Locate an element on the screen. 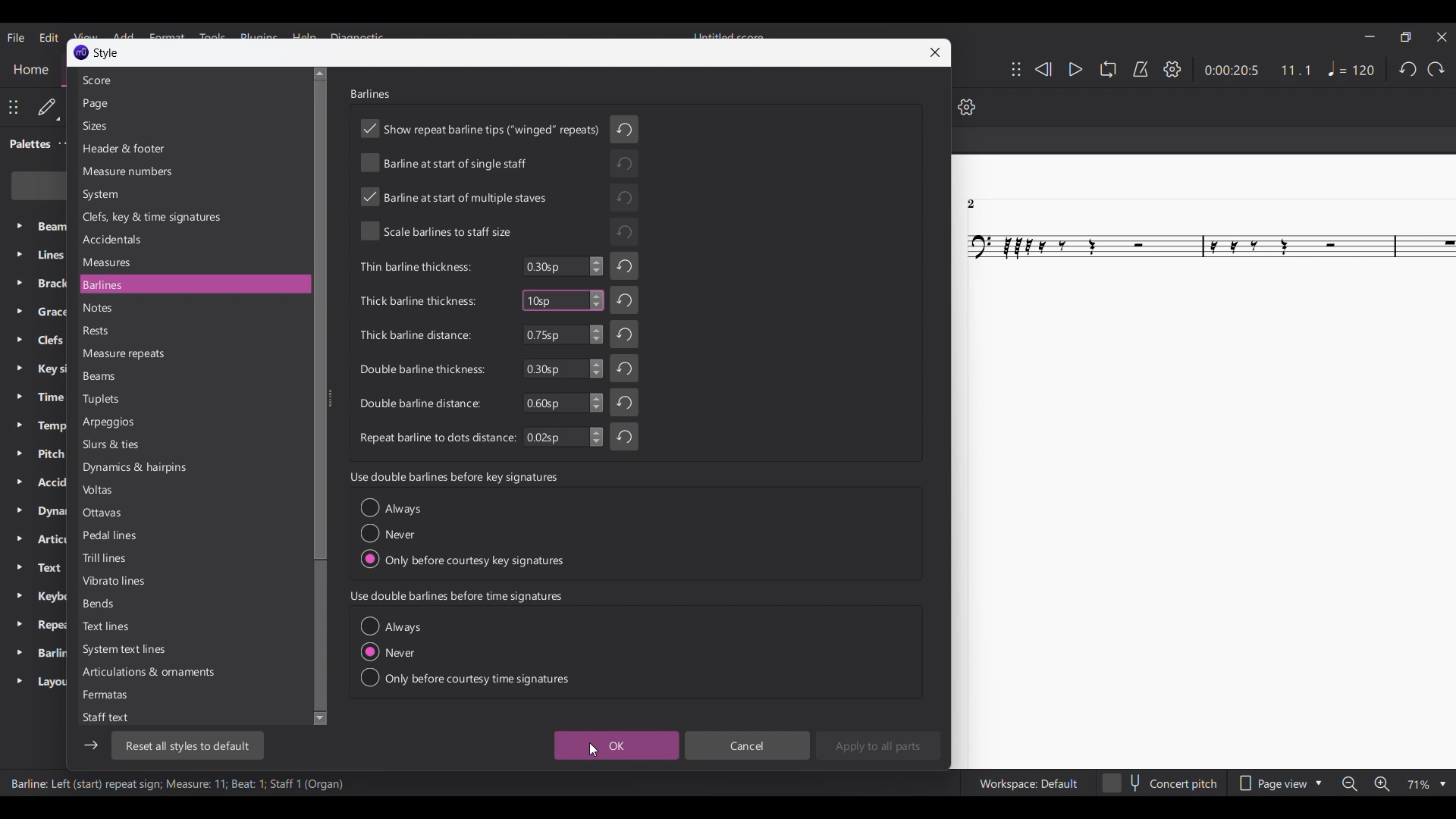 This screenshot has height=819, width=1456. Highlighted as current change is located at coordinates (564, 300).